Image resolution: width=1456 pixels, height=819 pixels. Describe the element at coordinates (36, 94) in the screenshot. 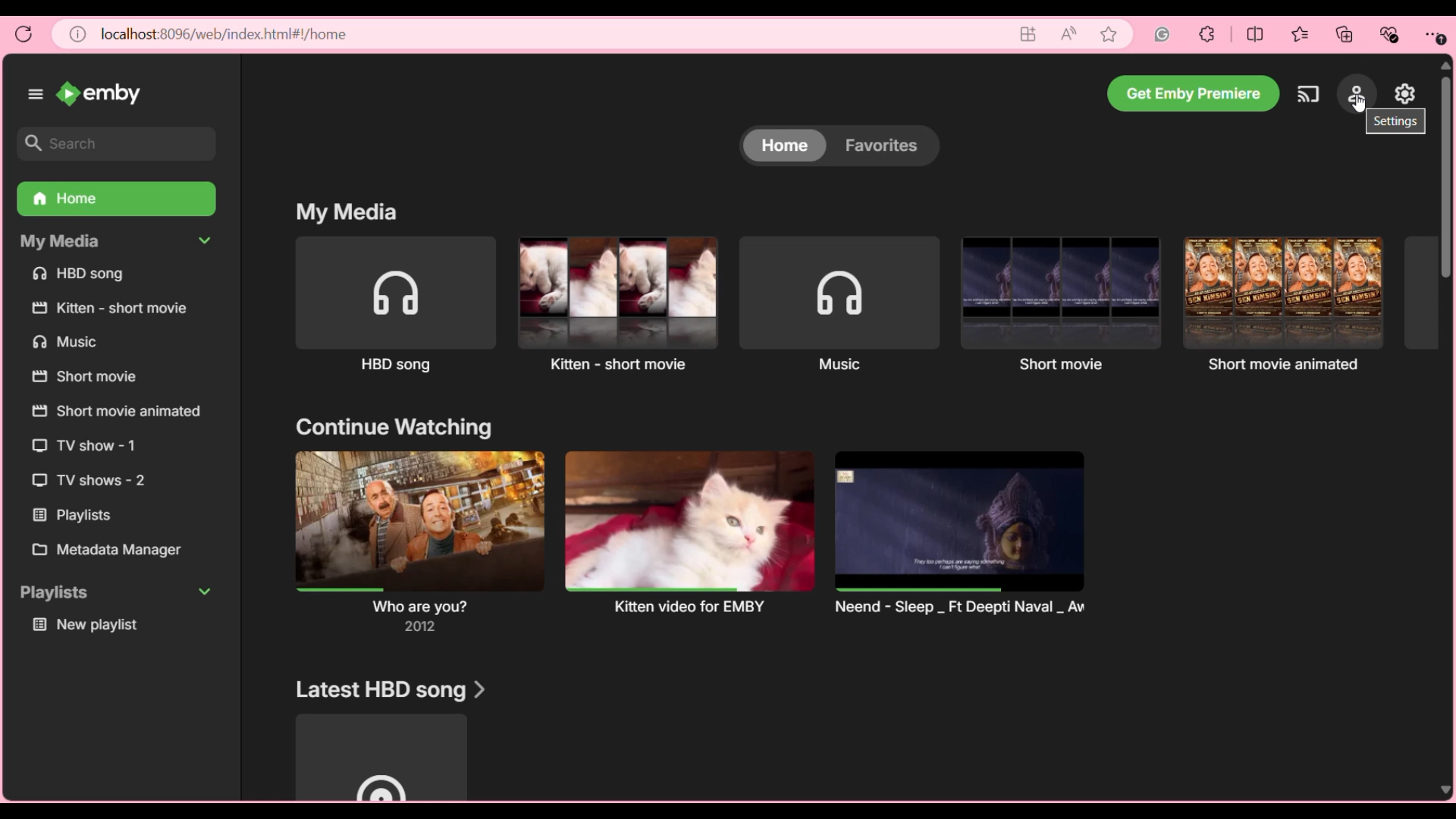

I see `Show/Hide left panel` at that location.